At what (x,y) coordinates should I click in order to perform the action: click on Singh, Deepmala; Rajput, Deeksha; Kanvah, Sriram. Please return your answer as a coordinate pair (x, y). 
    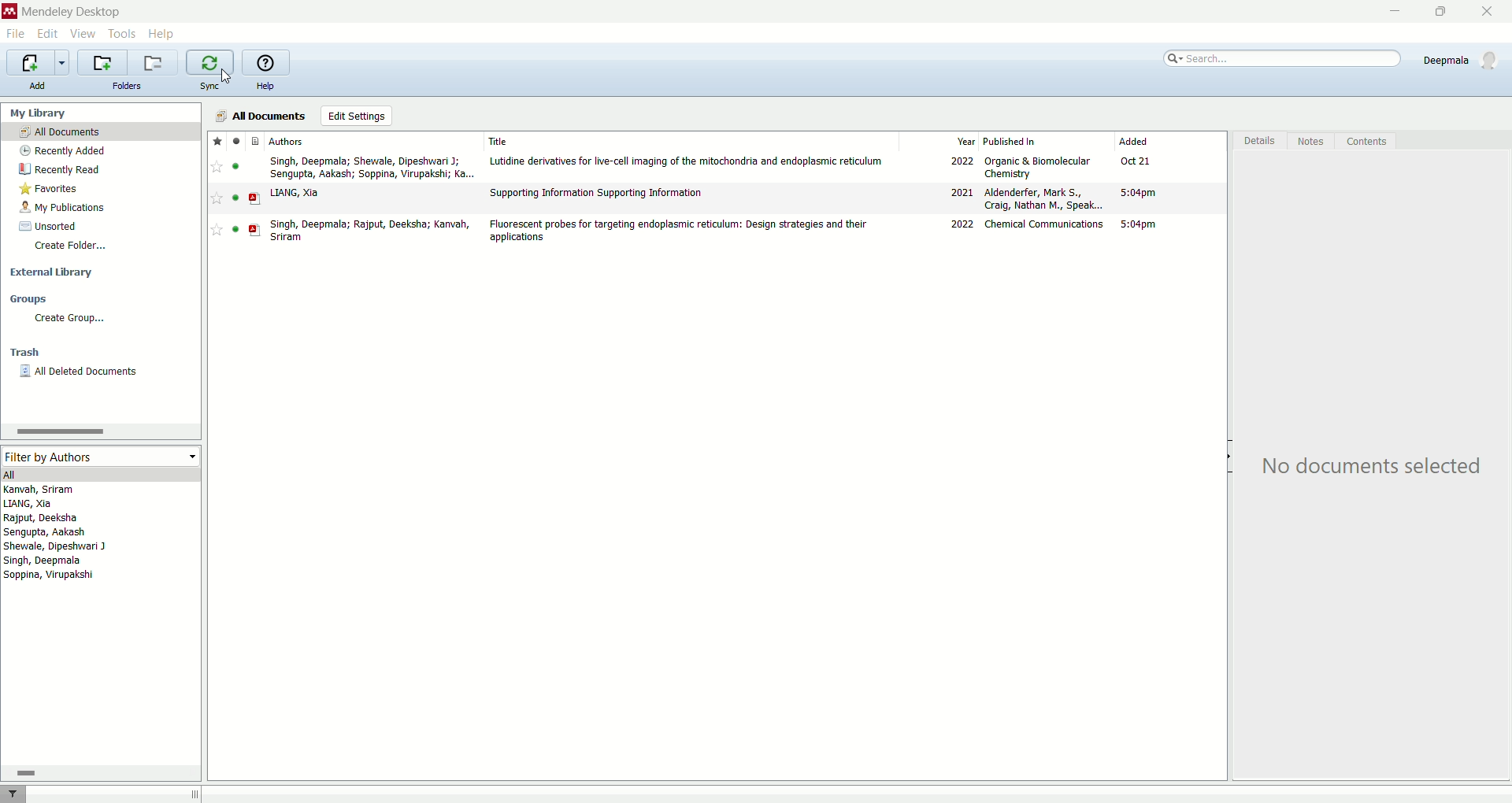
    Looking at the image, I should click on (372, 229).